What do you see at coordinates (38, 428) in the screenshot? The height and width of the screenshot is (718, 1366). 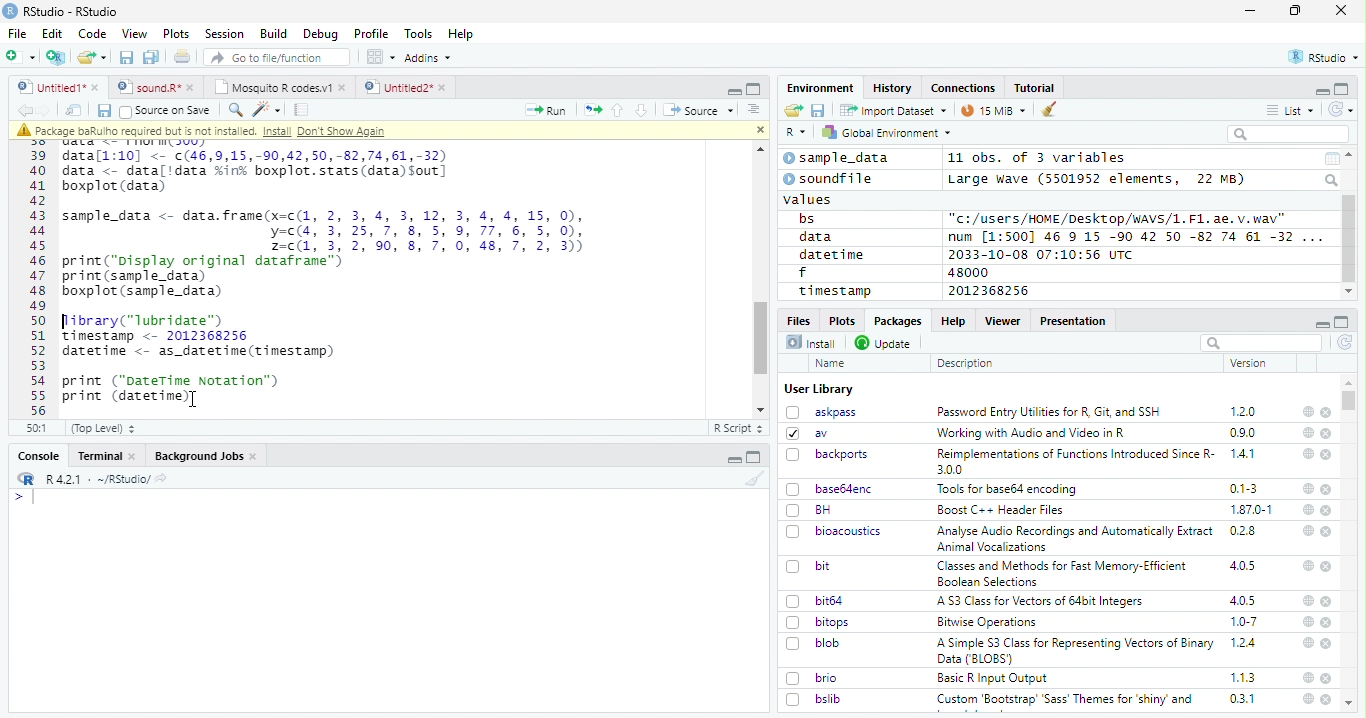 I see `50:1` at bounding box center [38, 428].